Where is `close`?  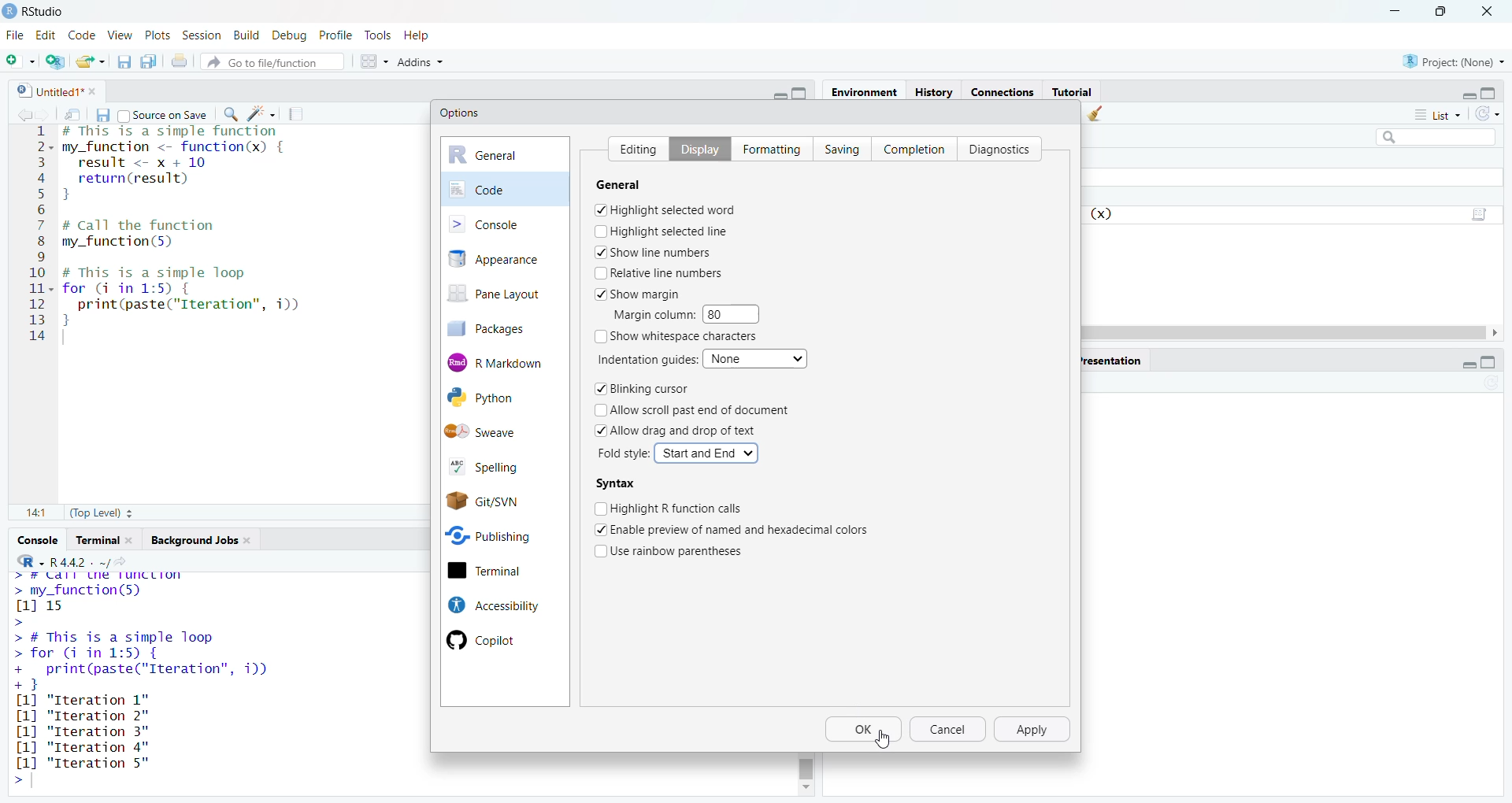
close is located at coordinates (98, 91).